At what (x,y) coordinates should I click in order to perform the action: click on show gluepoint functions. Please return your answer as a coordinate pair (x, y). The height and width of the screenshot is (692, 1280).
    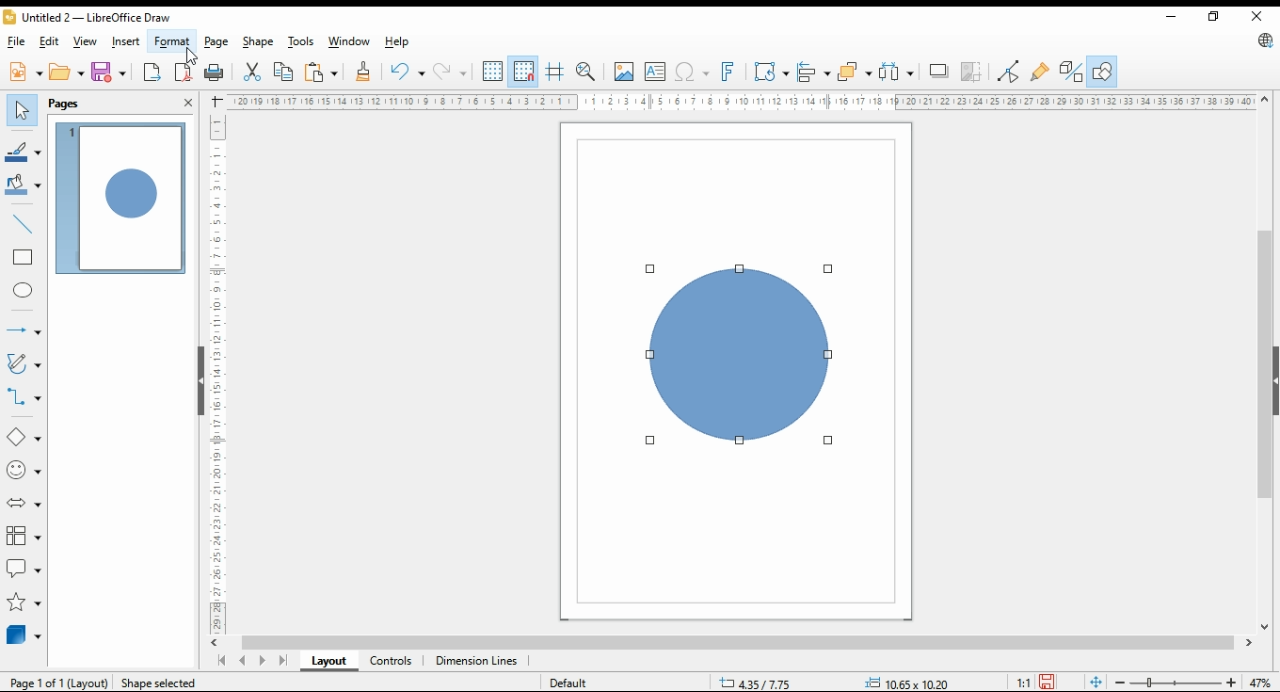
    Looking at the image, I should click on (1043, 70).